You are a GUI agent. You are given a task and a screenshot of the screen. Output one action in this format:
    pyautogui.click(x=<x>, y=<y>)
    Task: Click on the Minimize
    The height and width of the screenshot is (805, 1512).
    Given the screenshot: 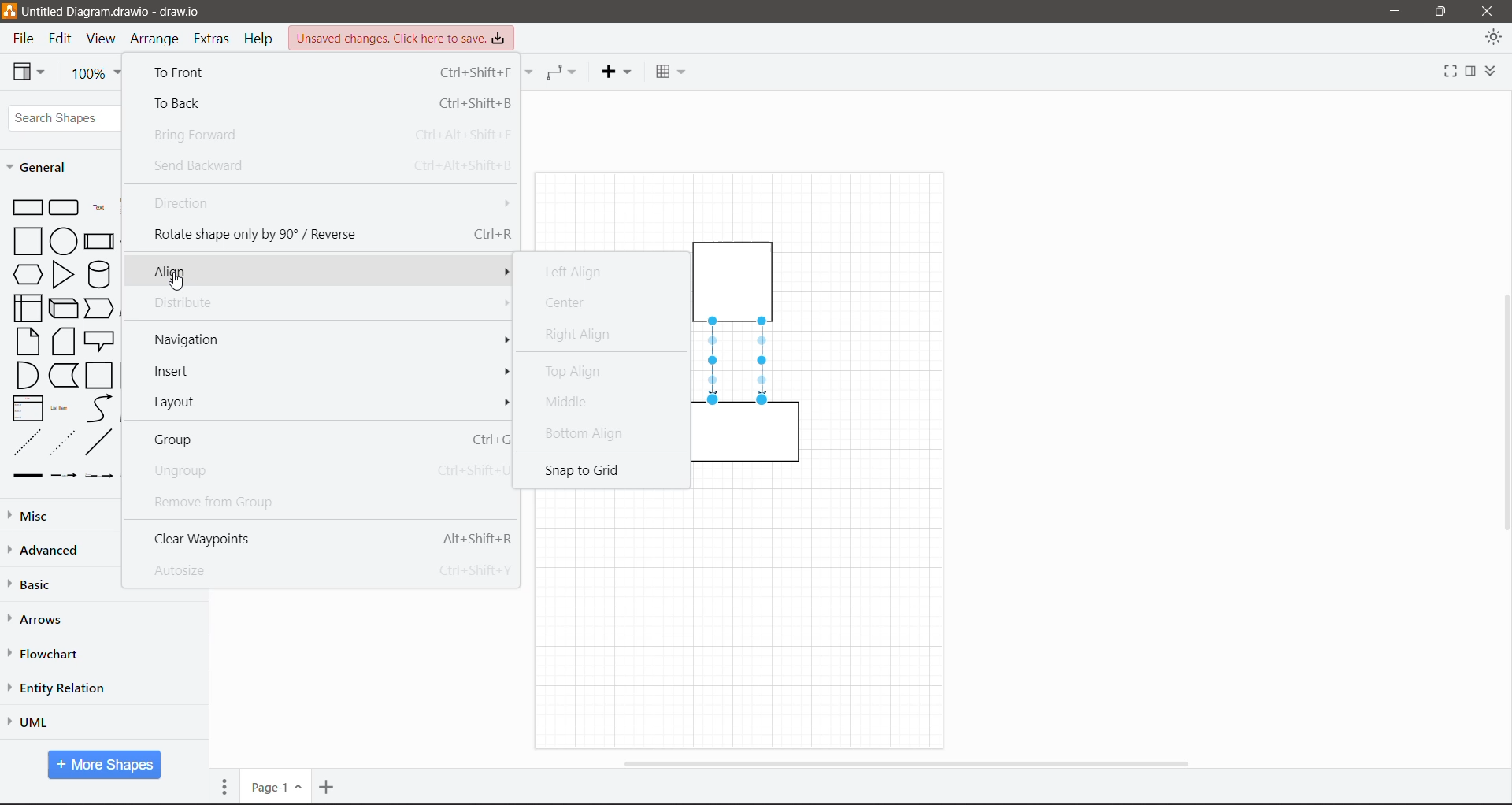 What is the action you would take?
    pyautogui.click(x=1391, y=12)
    